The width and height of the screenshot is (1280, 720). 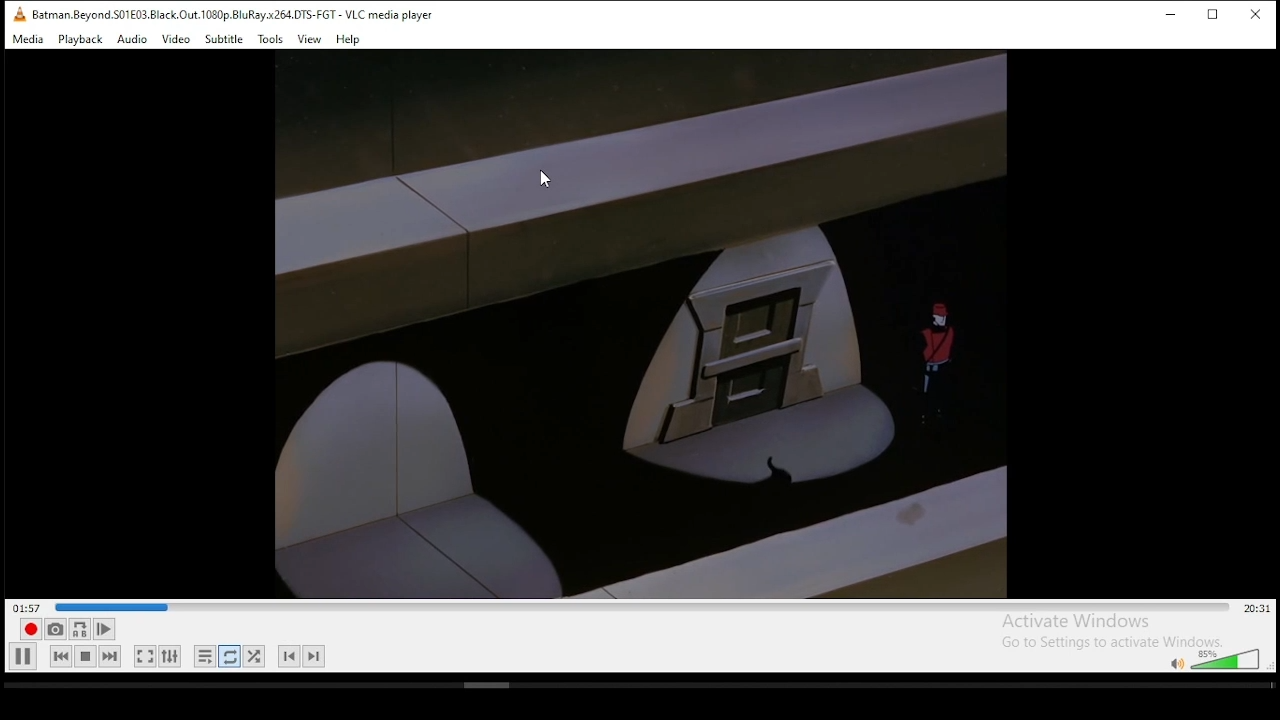 What do you see at coordinates (218, 14) in the screenshot?
I see `VLC icon and file name` at bounding box center [218, 14].